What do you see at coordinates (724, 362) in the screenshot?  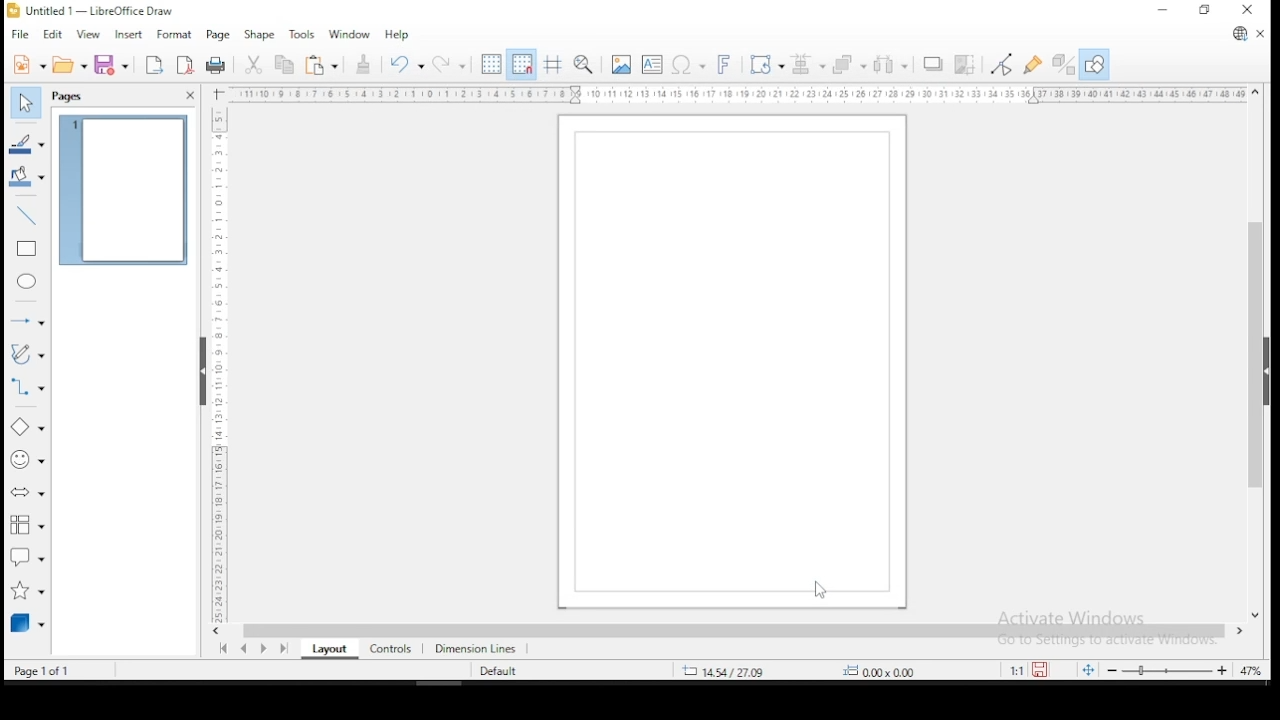 I see `portrait orientation` at bounding box center [724, 362].